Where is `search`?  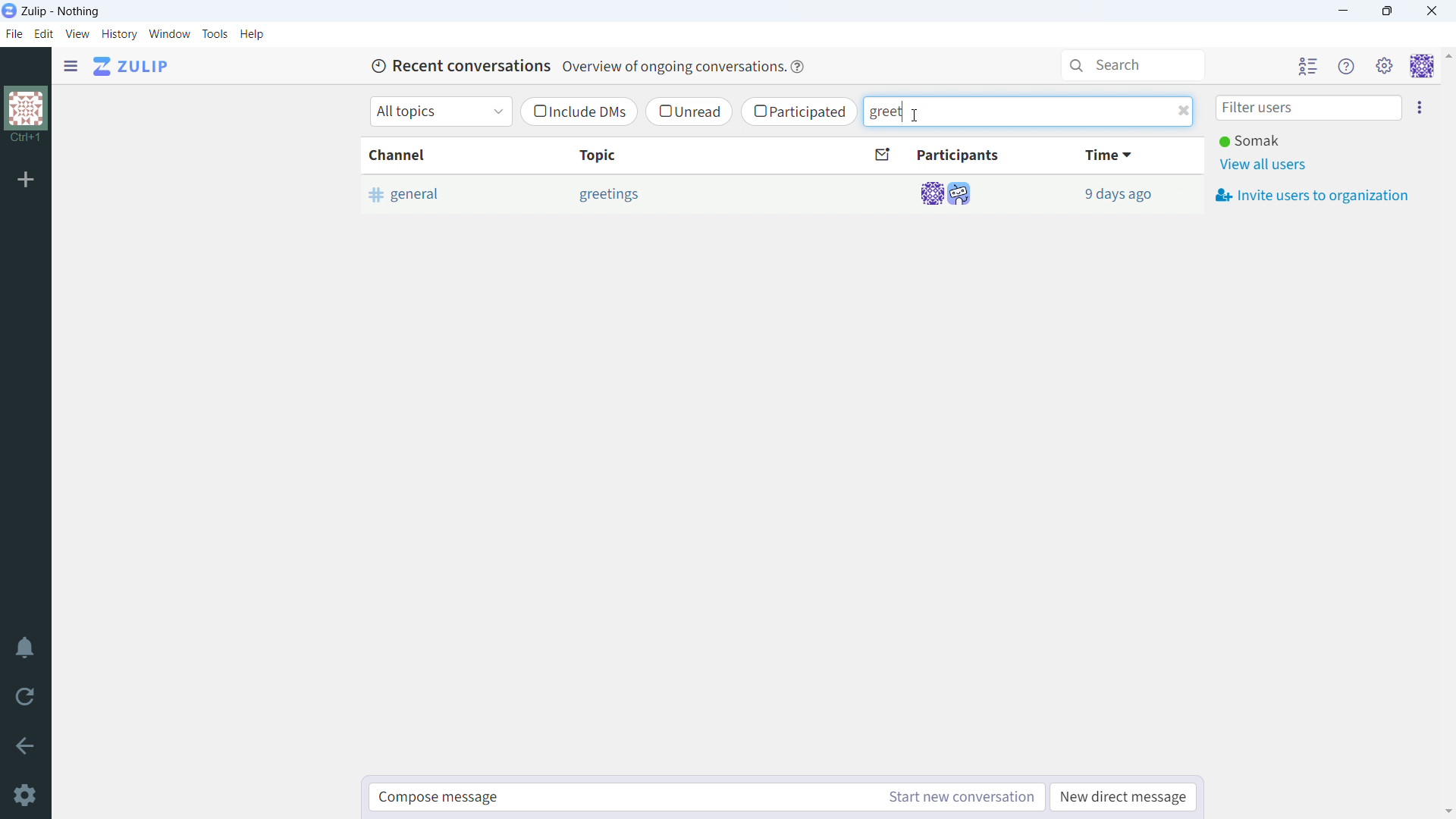 search is located at coordinates (1135, 65).